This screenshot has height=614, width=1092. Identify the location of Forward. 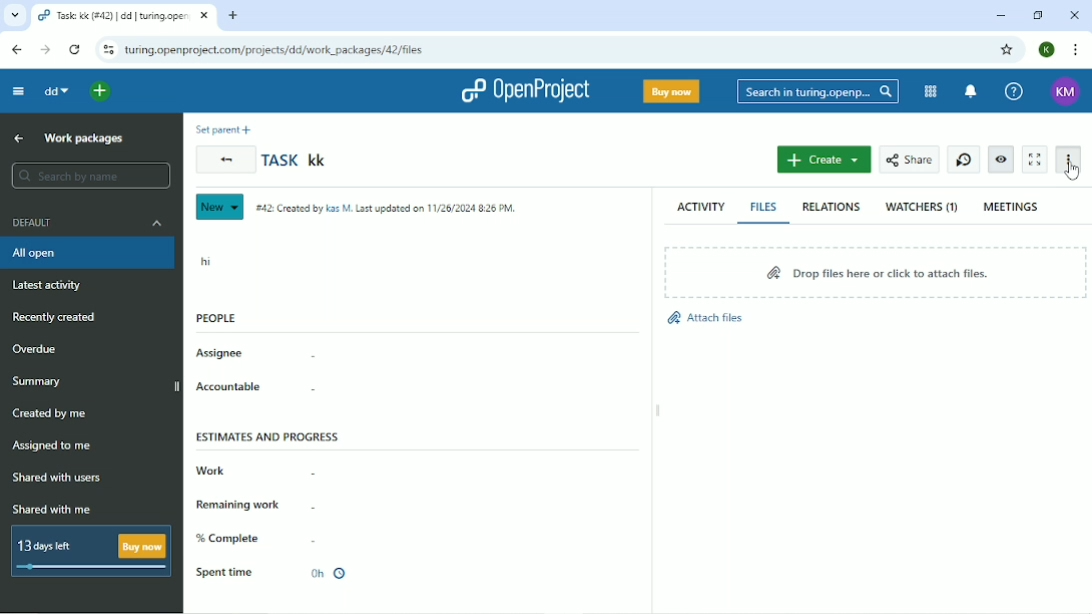
(48, 50).